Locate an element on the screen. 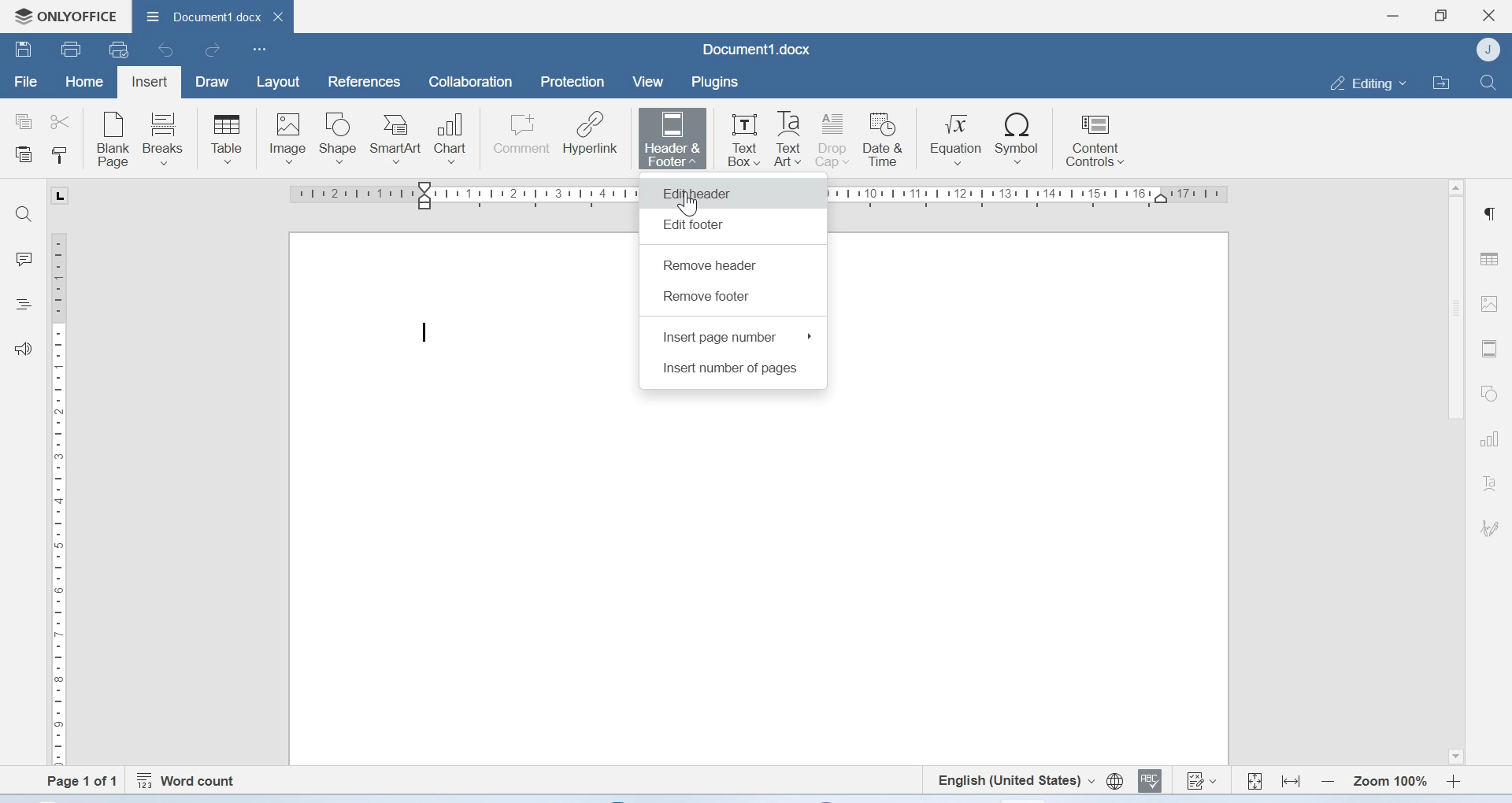 The image size is (1512, 803). Find is located at coordinates (28, 214).